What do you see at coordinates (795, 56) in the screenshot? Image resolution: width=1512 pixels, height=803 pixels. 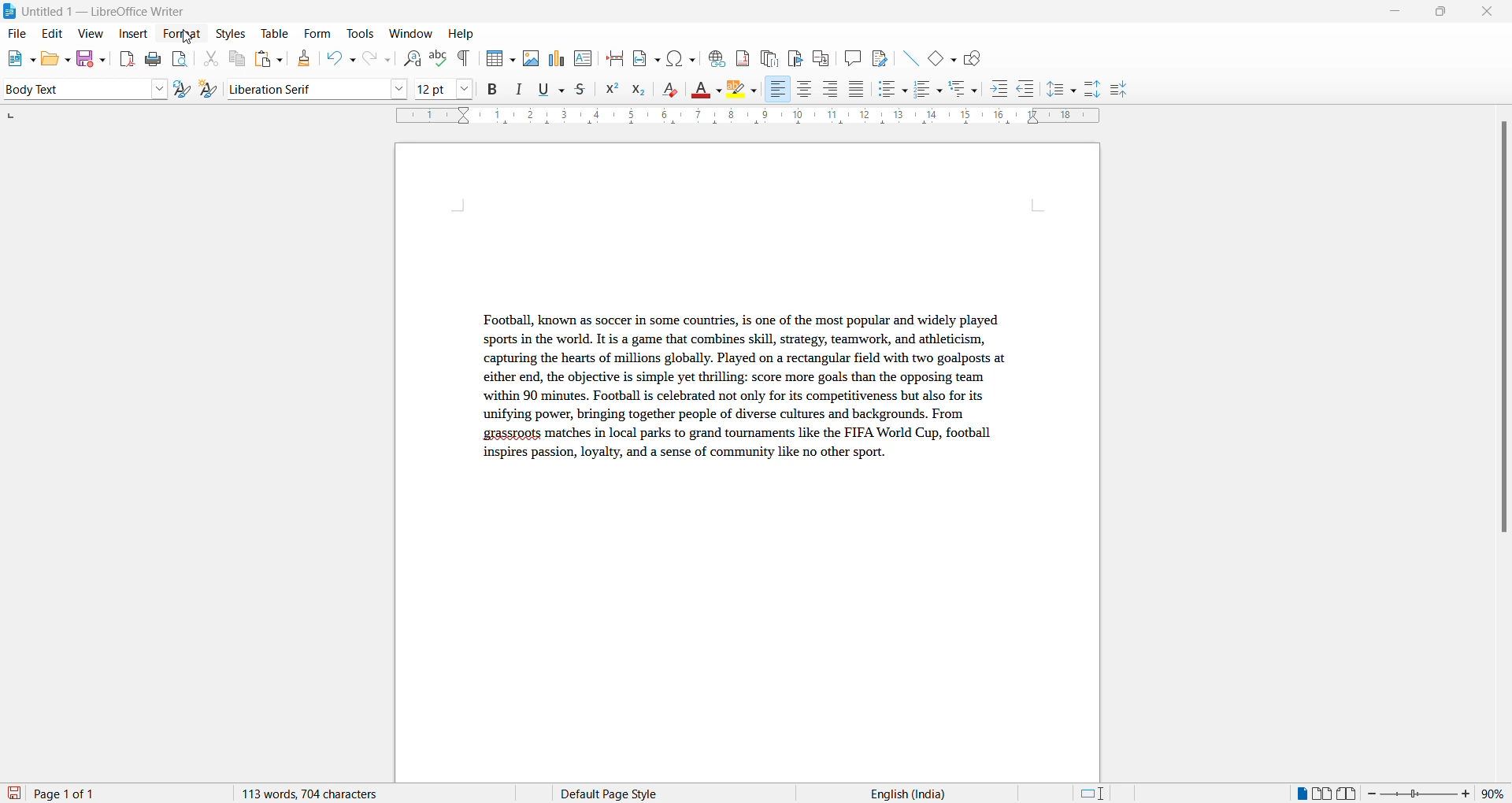 I see `insert bookmarks` at bounding box center [795, 56].